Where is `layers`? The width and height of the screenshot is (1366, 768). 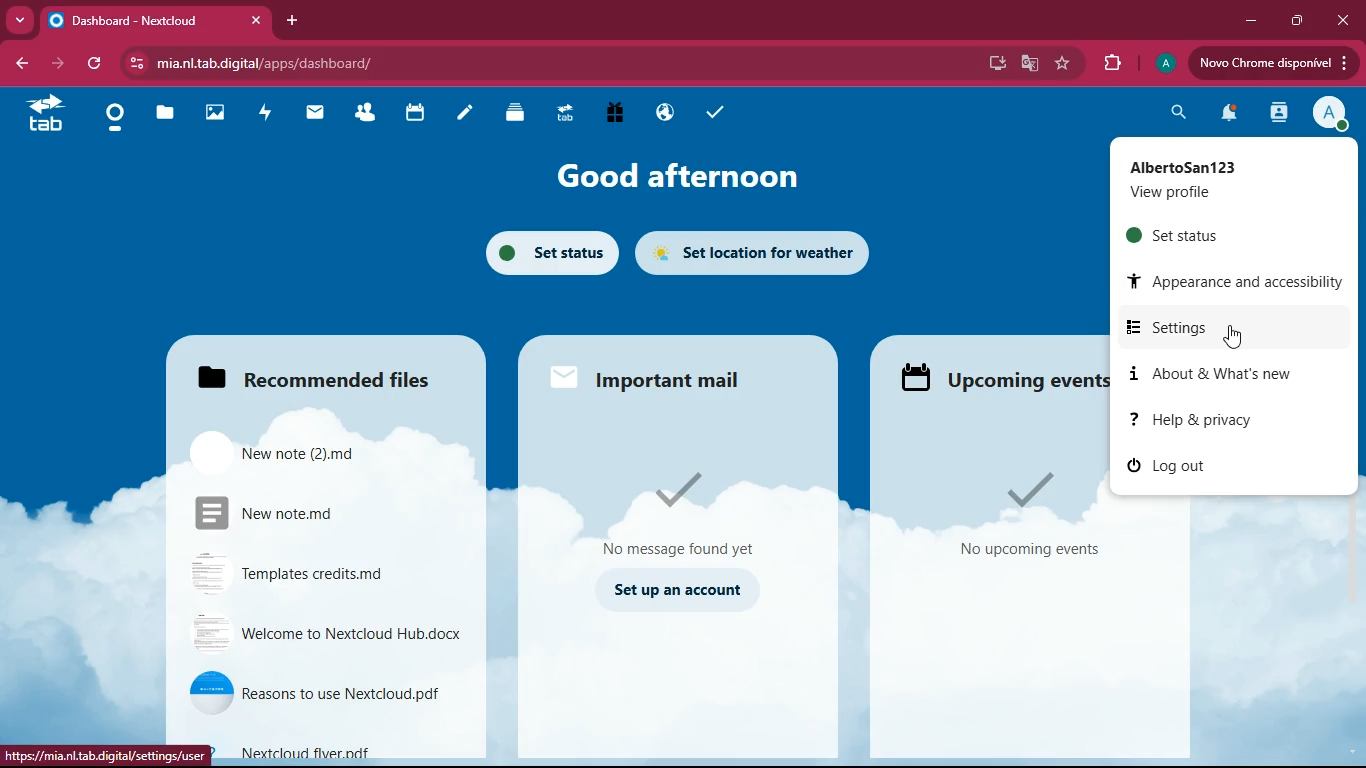 layers is located at coordinates (518, 115).